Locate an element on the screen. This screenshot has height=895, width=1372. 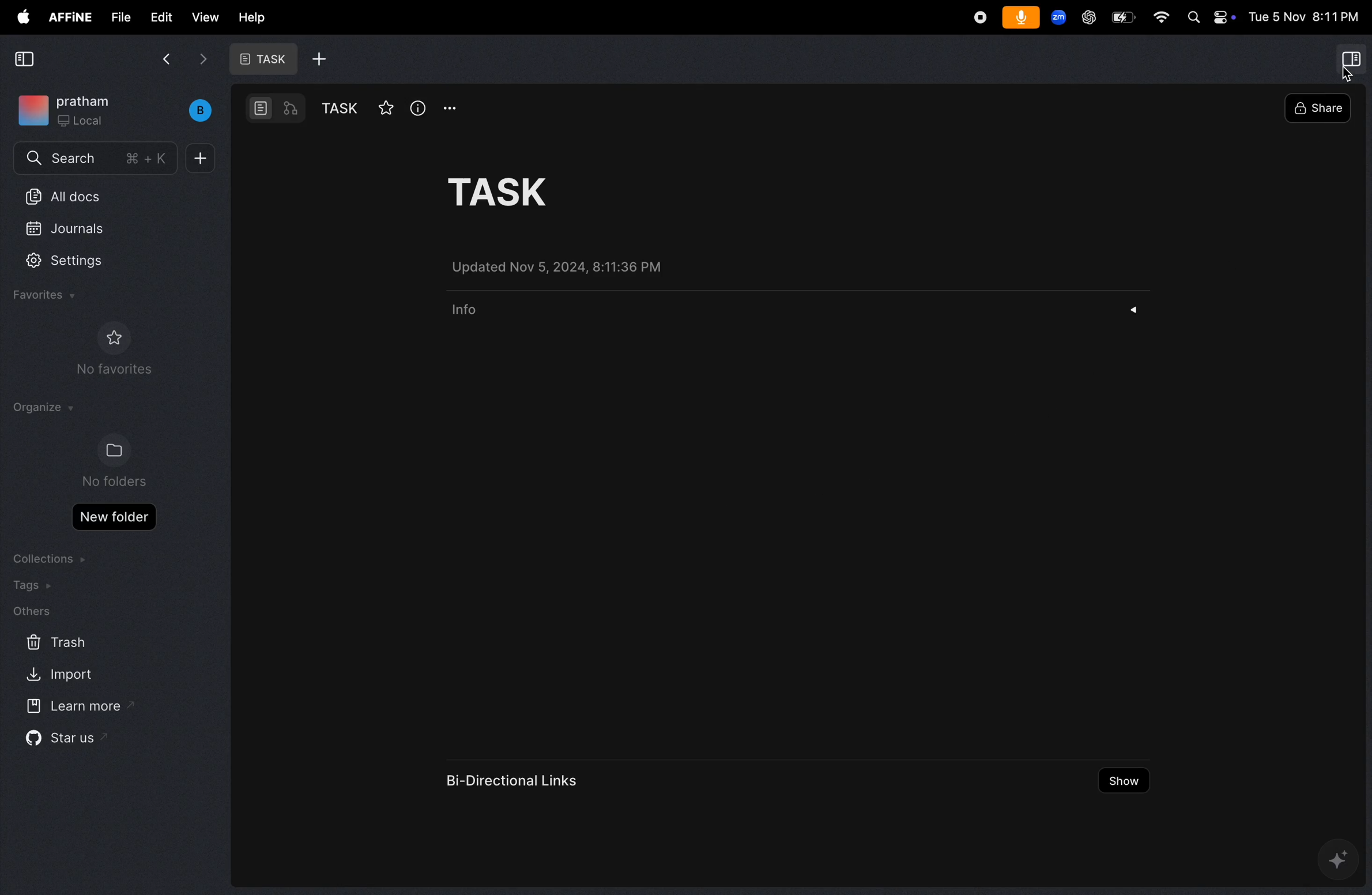
task title is located at coordinates (497, 192).